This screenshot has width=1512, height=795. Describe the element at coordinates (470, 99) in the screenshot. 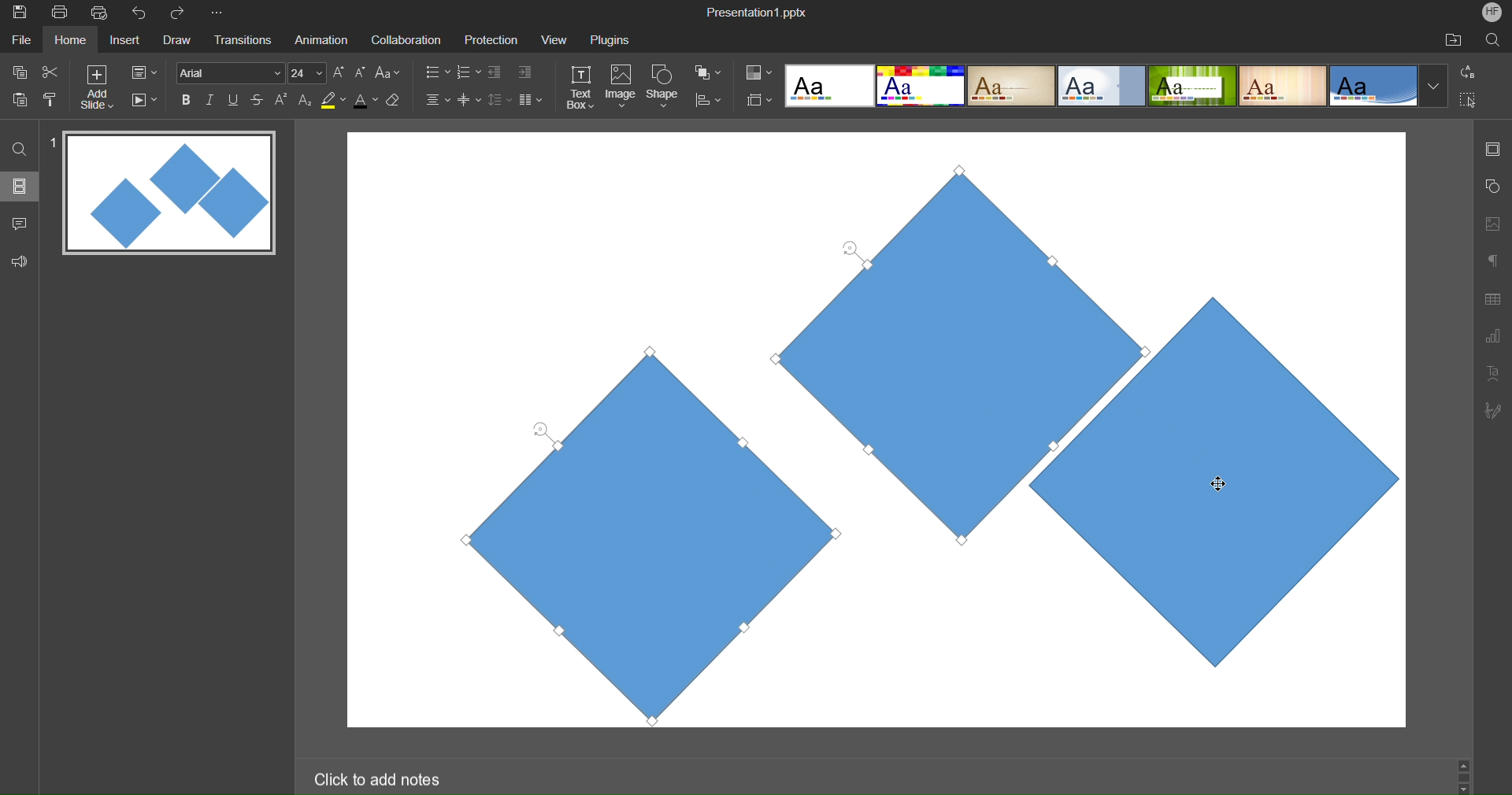

I see `Vertical Align` at that location.